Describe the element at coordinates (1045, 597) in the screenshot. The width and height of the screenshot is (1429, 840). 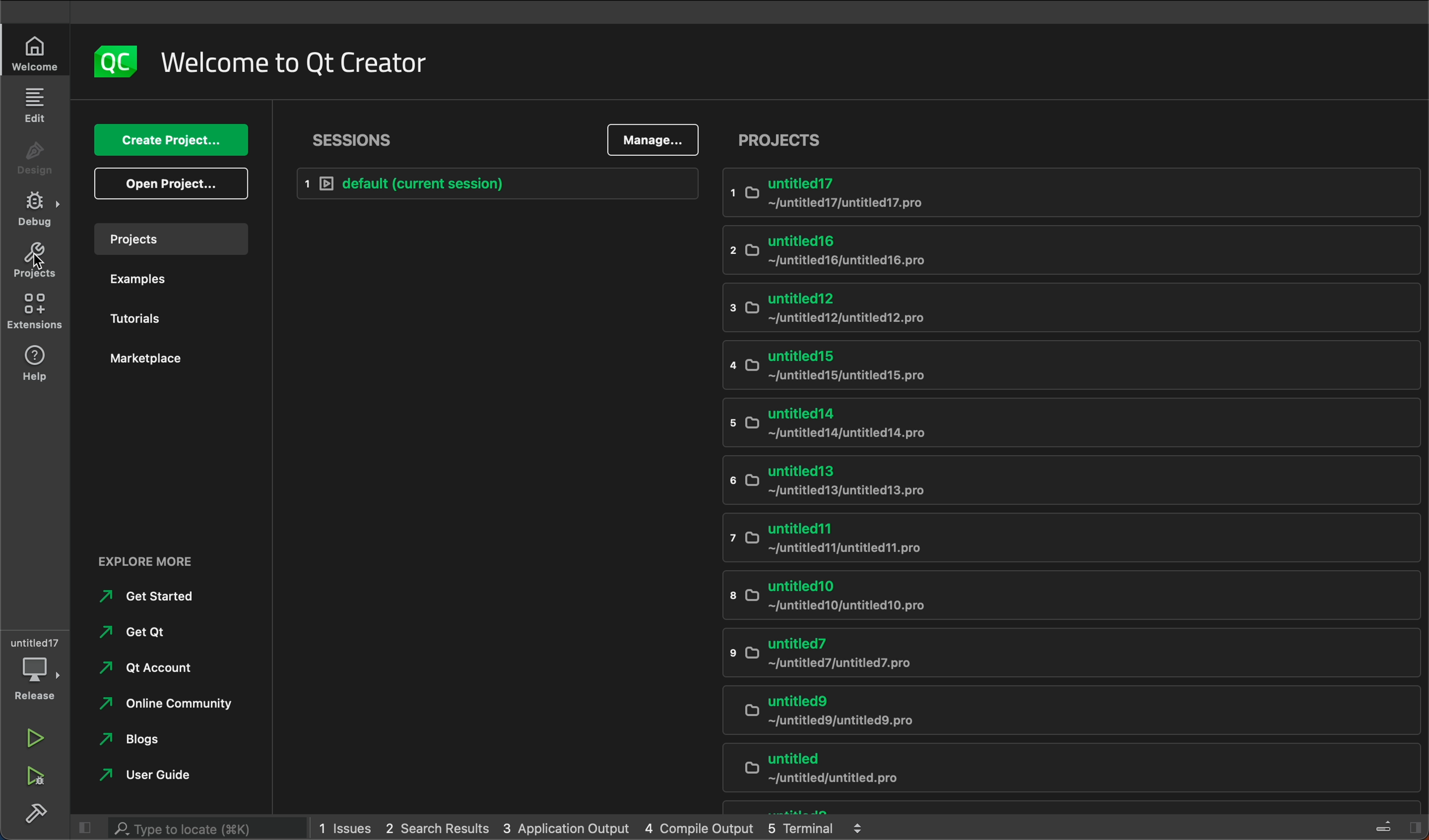
I see `untitled10` at that location.